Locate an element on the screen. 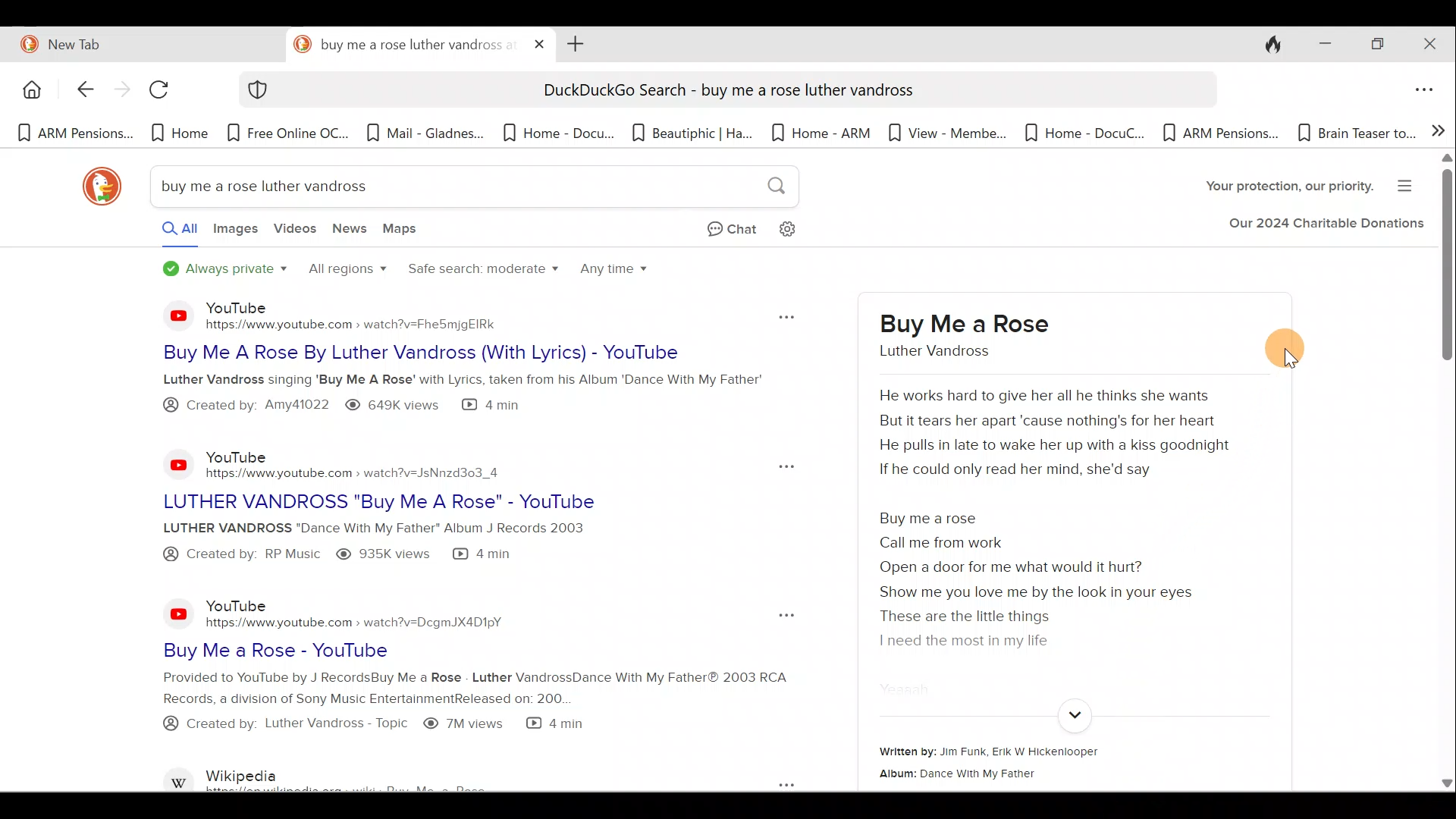  Written by: Jim Funk, Erik W Hickenlooper
Album: Dance With My Father is located at coordinates (1050, 763).